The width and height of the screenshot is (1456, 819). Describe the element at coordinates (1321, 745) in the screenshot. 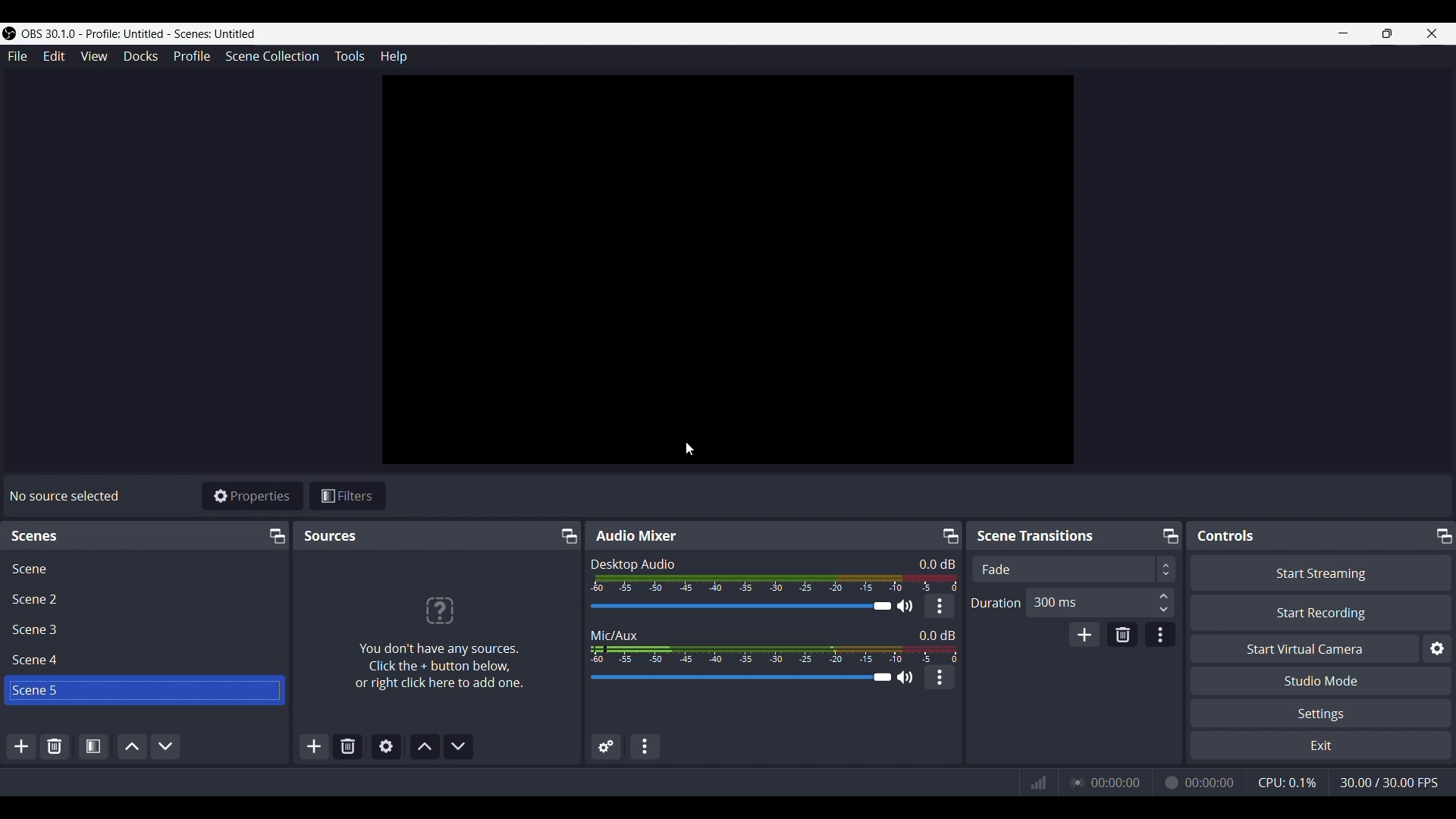

I see `Exit` at that location.